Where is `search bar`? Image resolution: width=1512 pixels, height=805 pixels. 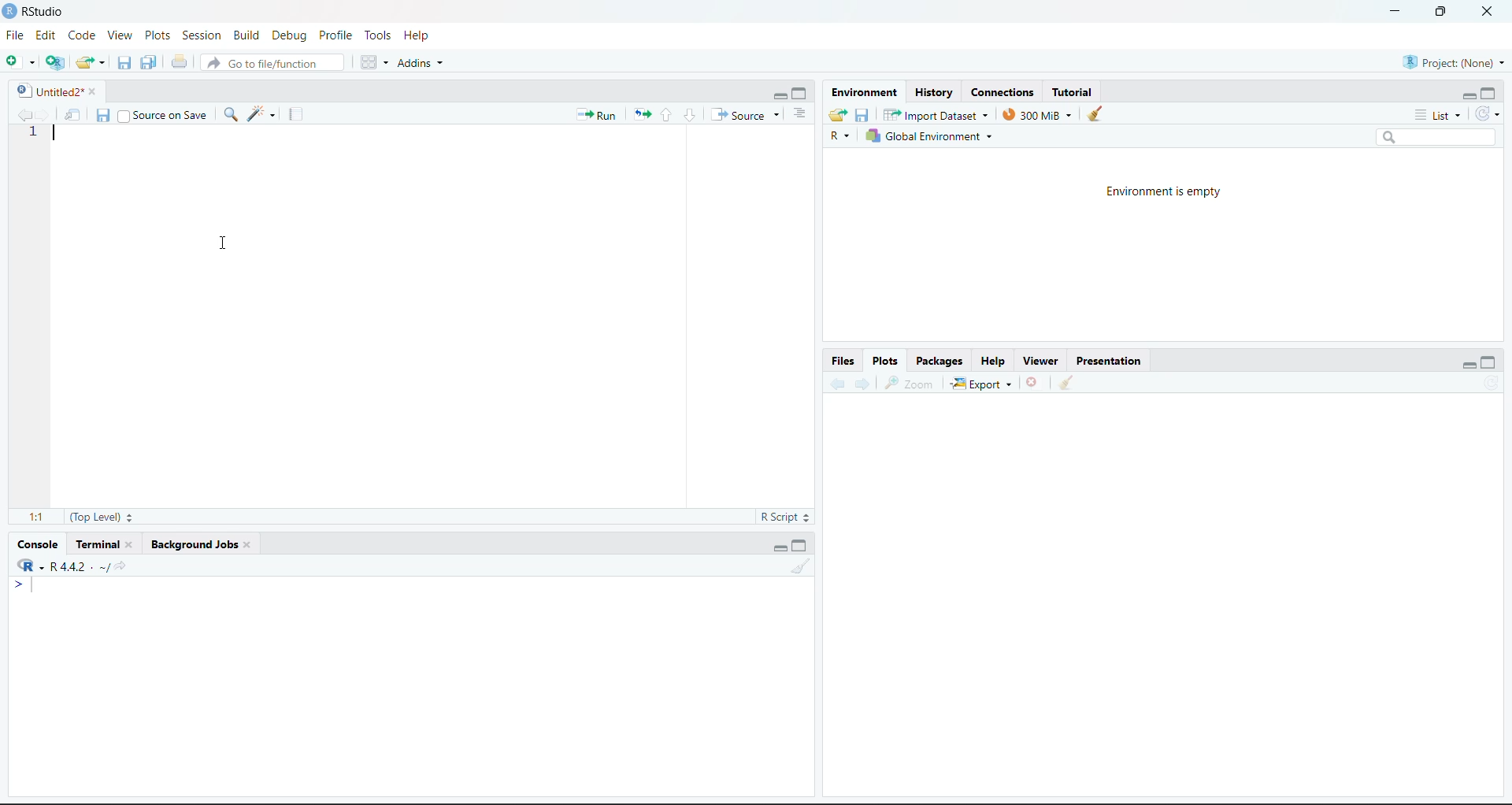
search bar is located at coordinates (1435, 136).